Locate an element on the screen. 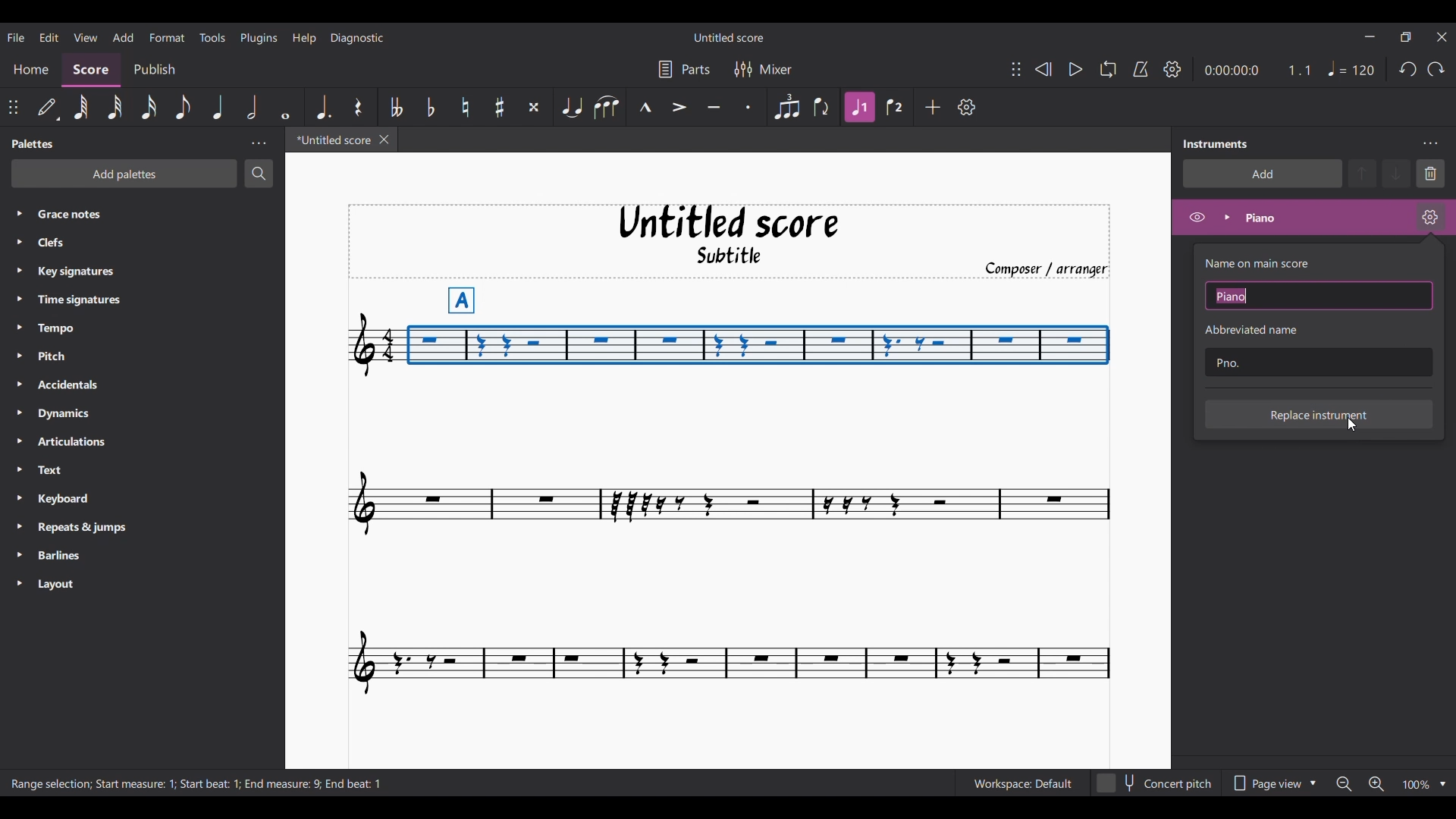 This screenshot has height=819, width=1456. Parts is located at coordinates (684, 69).